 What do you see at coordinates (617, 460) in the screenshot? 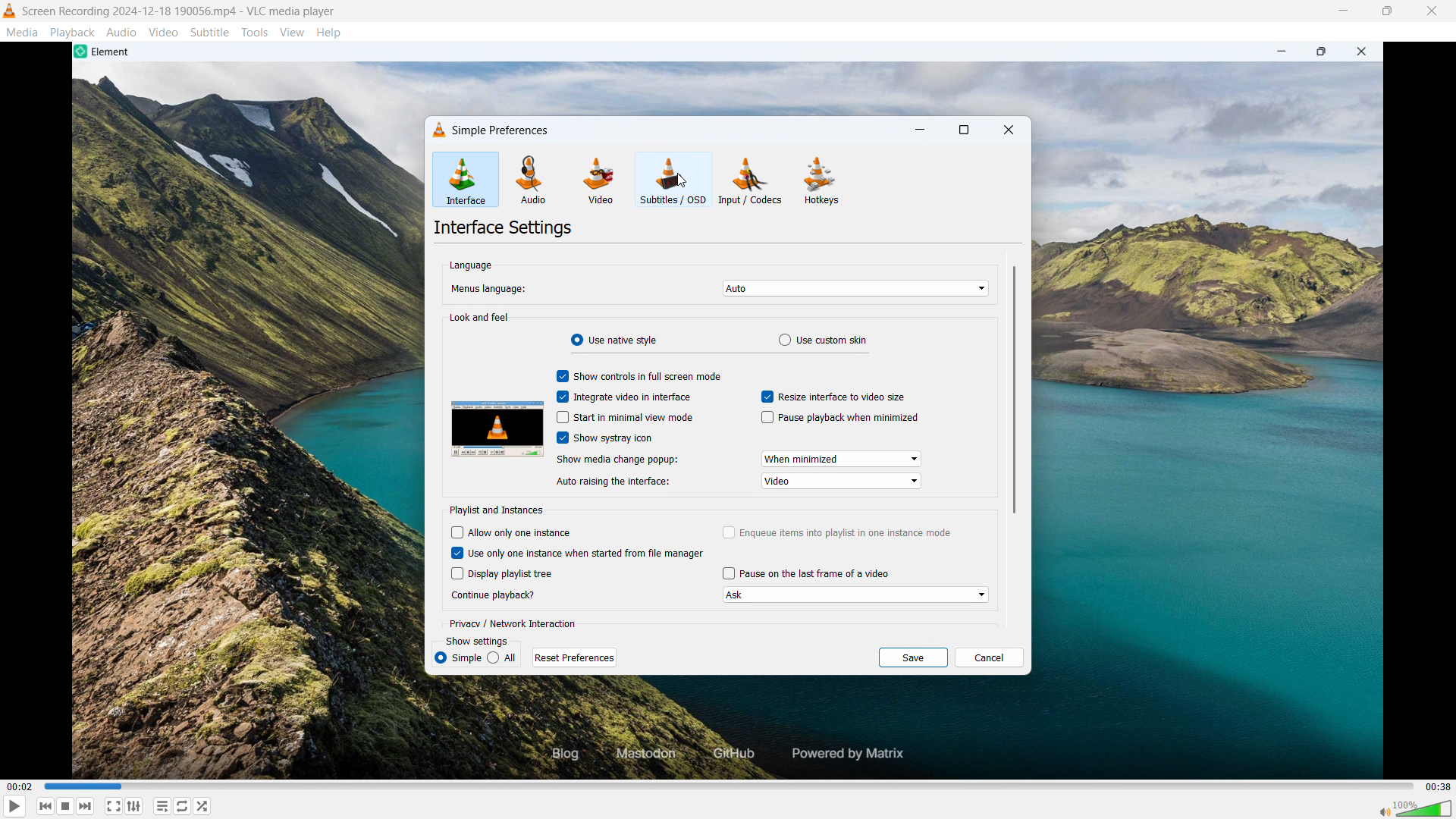
I see `Show media change popup:` at bounding box center [617, 460].